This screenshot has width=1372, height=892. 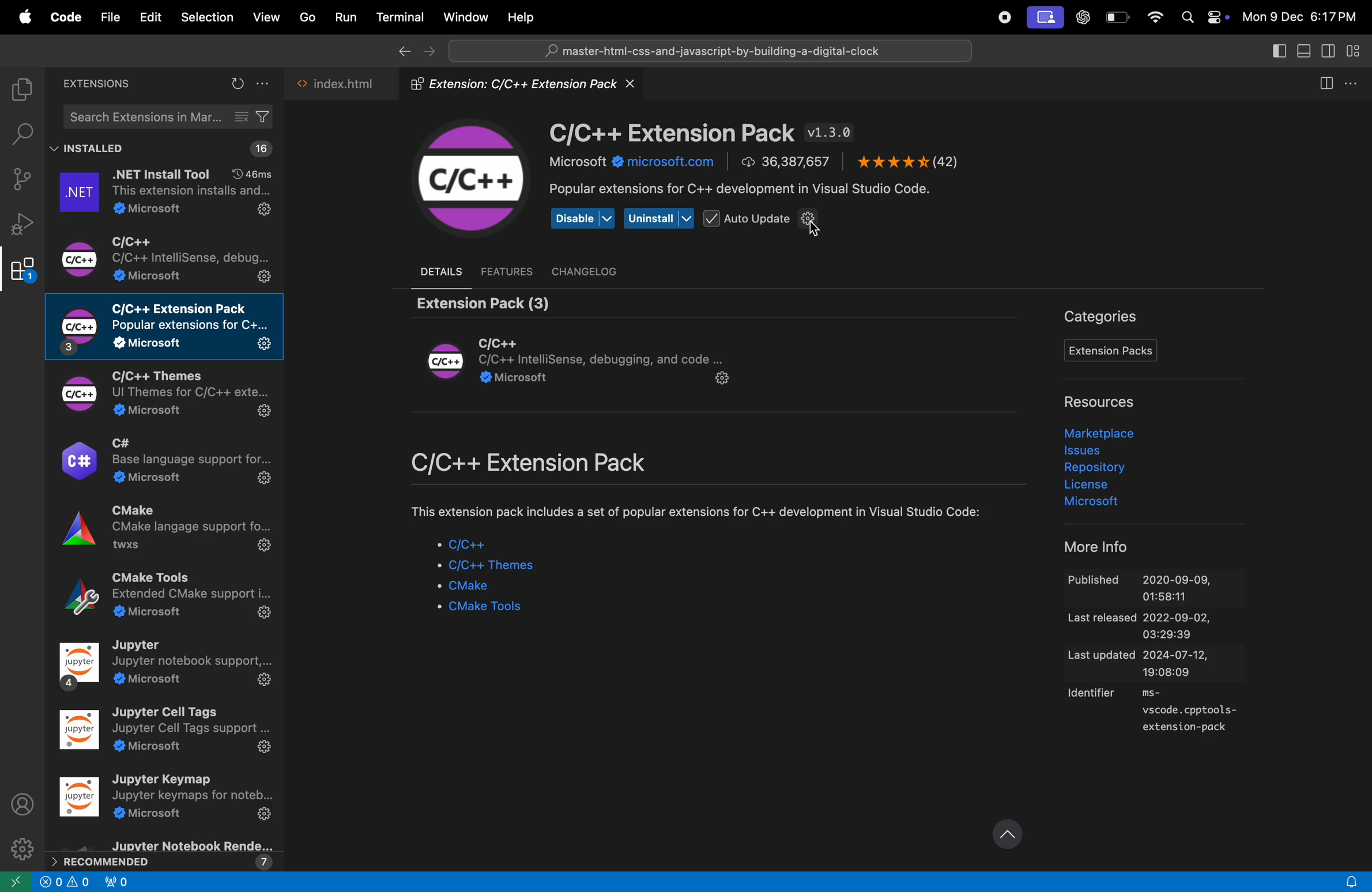 What do you see at coordinates (22, 270) in the screenshot?
I see `Extensions` at bounding box center [22, 270].